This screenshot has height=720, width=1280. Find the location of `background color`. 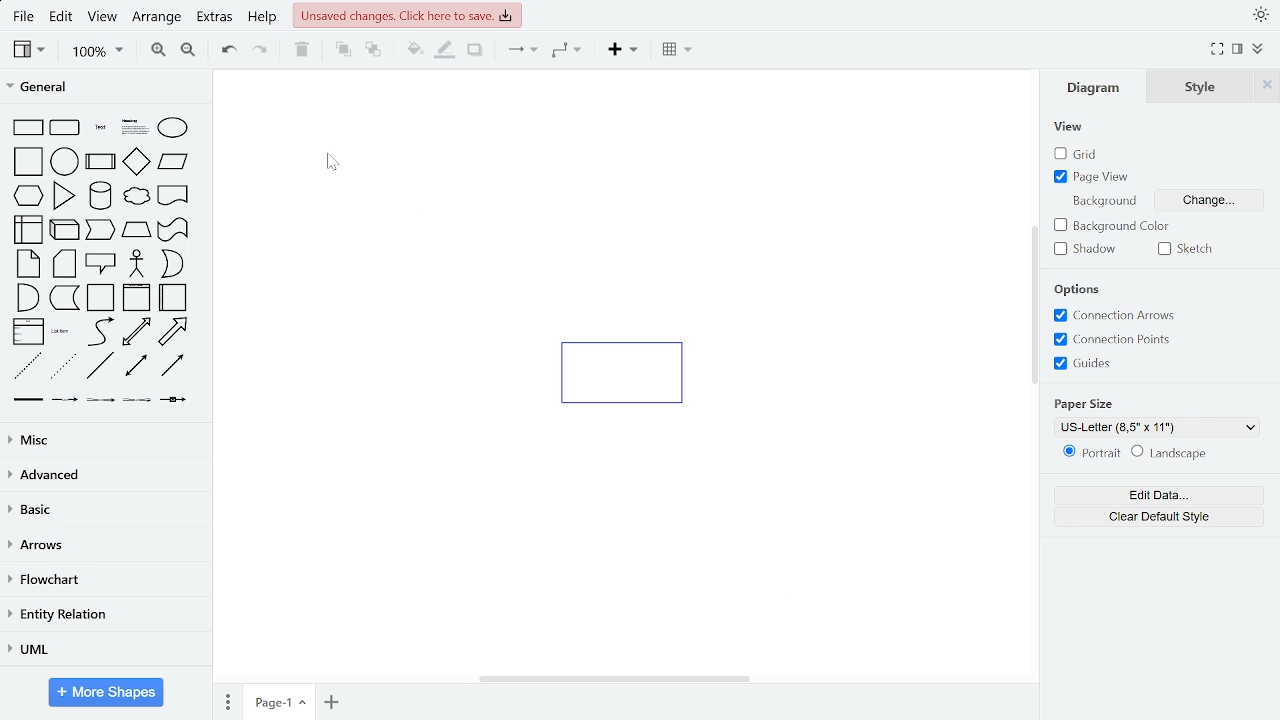

background color is located at coordinates (1112, 227).